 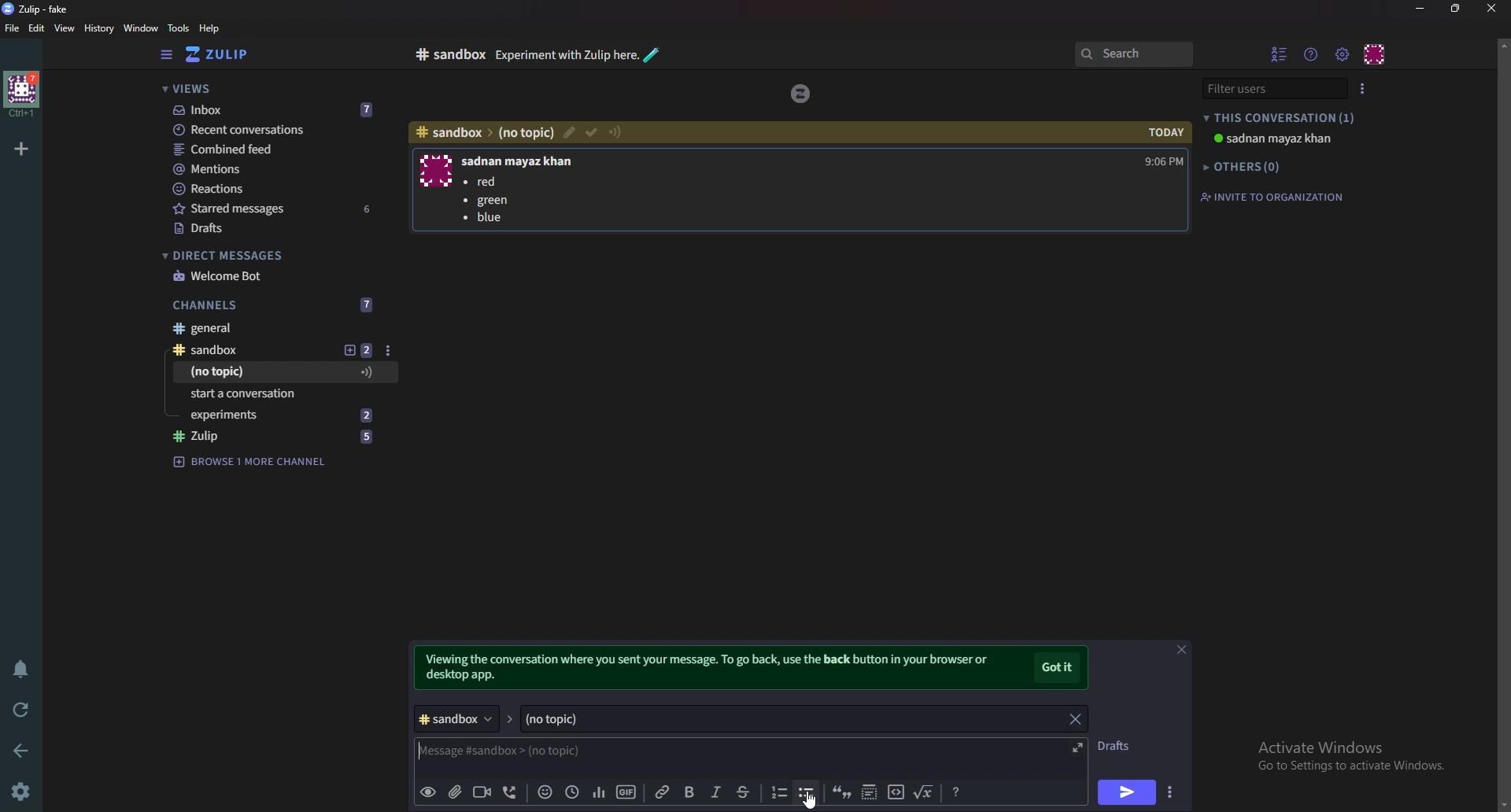 I want to click on Drafts, so click(x=275, y=230).